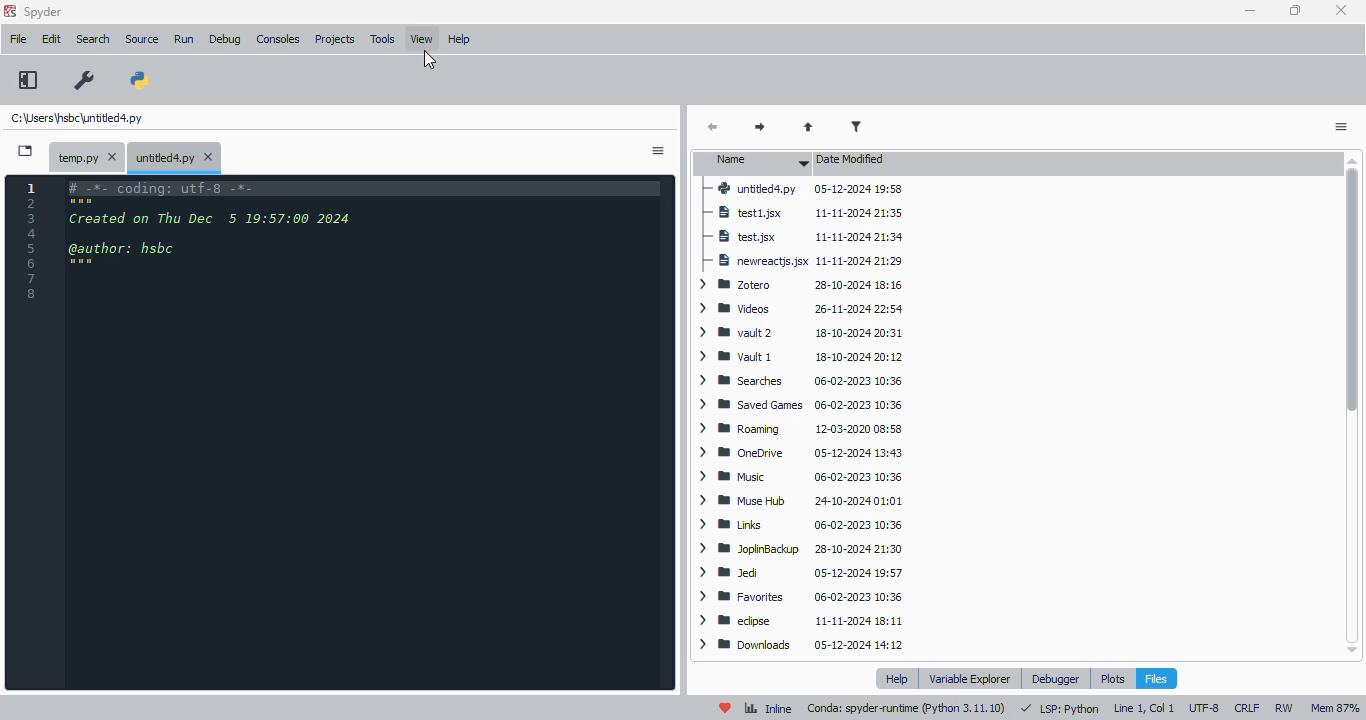 The width and height of the screenshot is (1366, 720). Describe the element at coordinates (804, 551) in the screenshot. I see `JoplinBackup` at that location.